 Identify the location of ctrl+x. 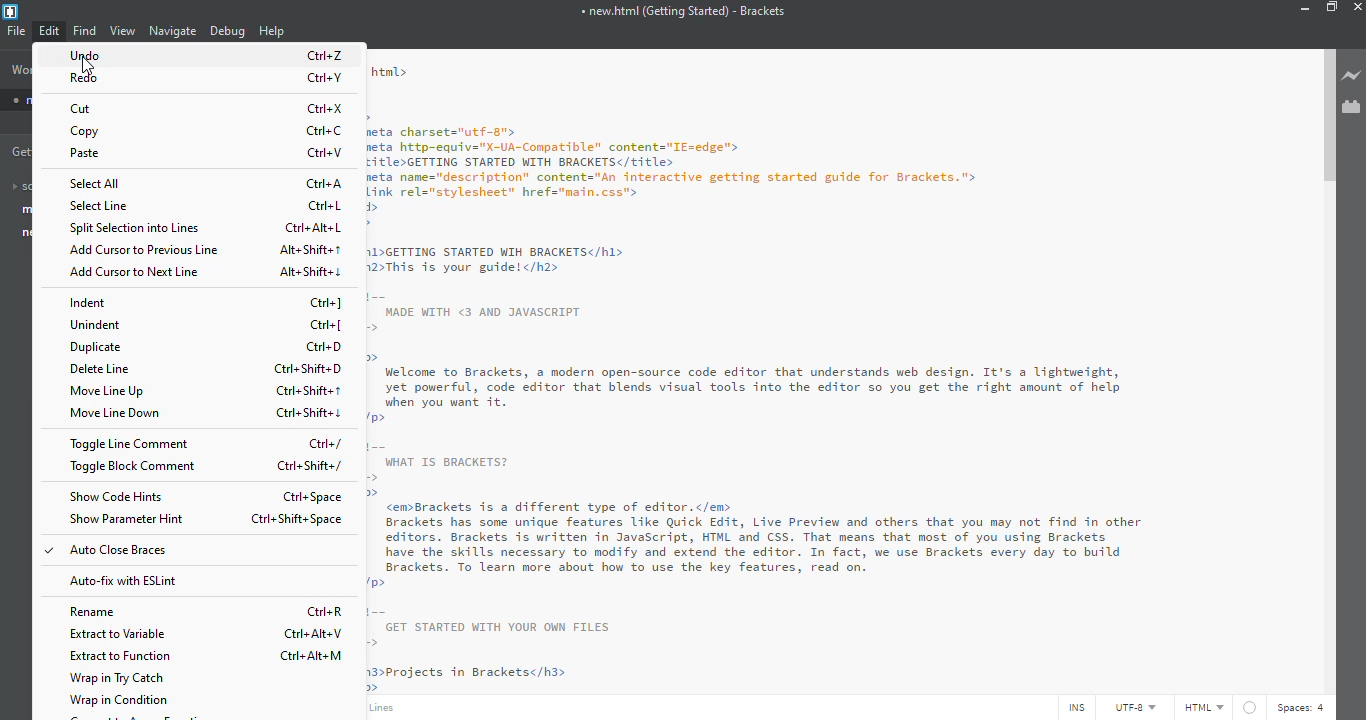
(326, 109).